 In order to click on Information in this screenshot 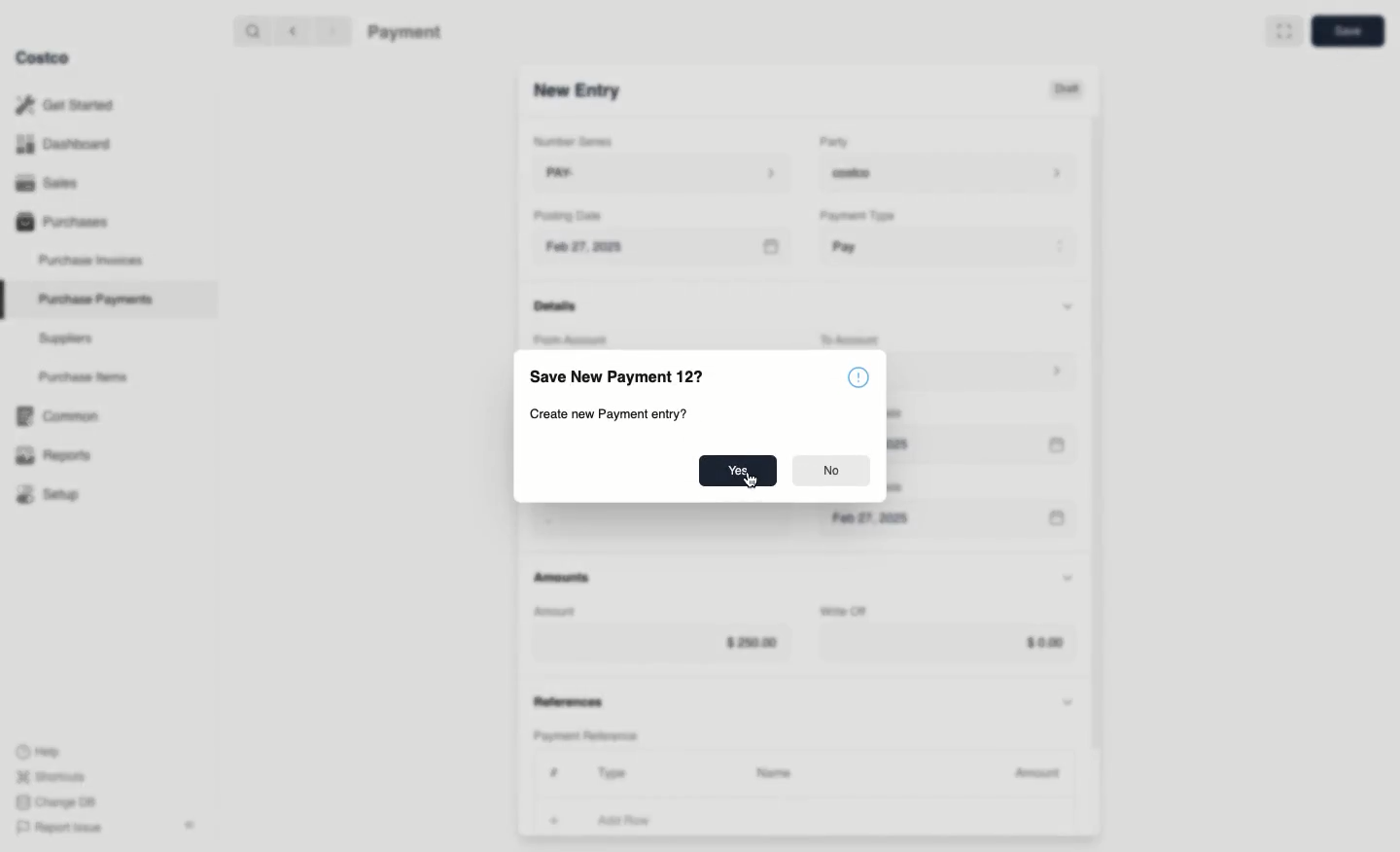, I will do `click(862, 376)`.